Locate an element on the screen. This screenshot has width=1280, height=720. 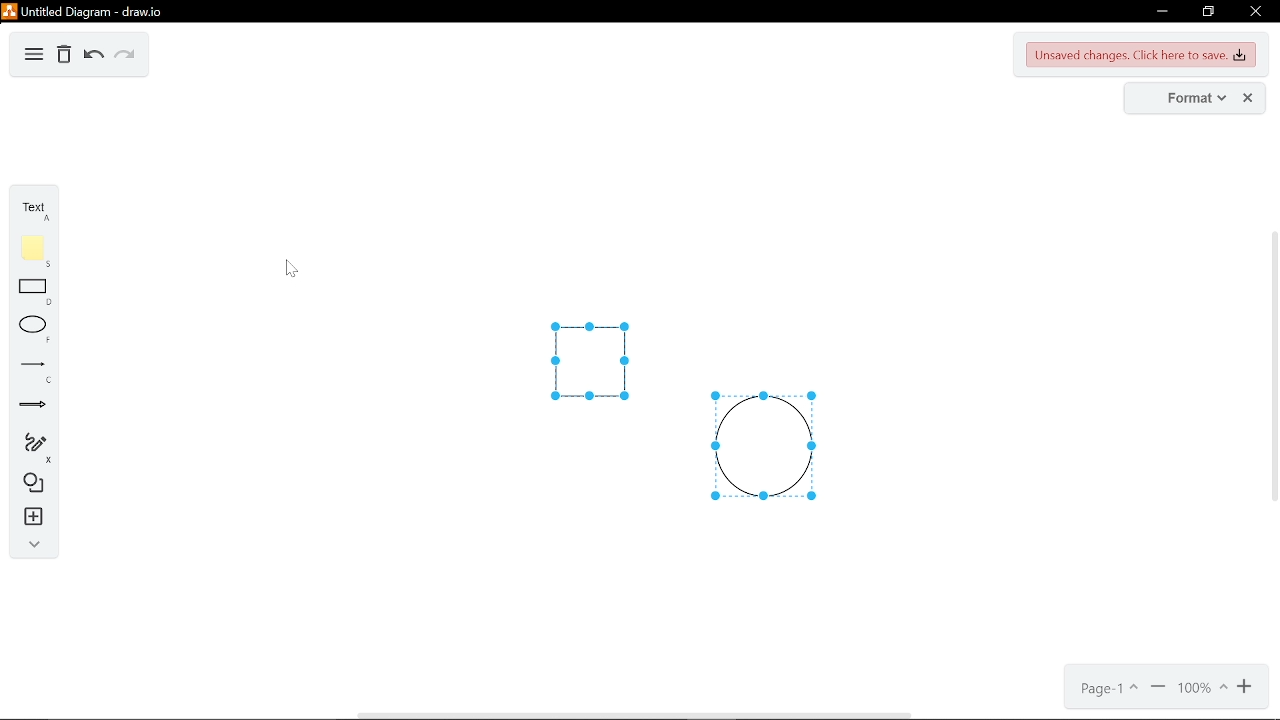
logo is located at coordinates (9, 11).